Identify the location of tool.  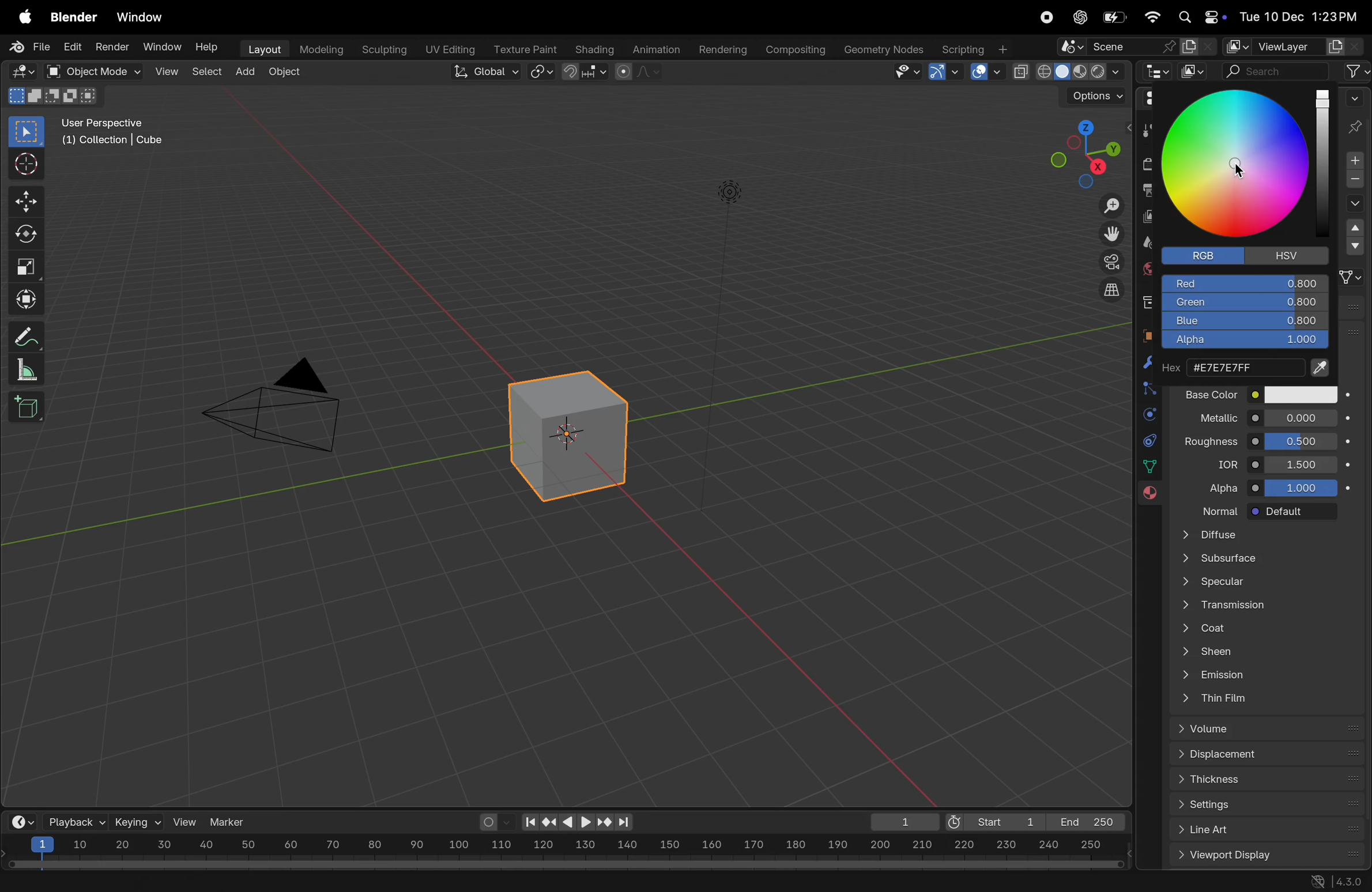
(1146, 133).